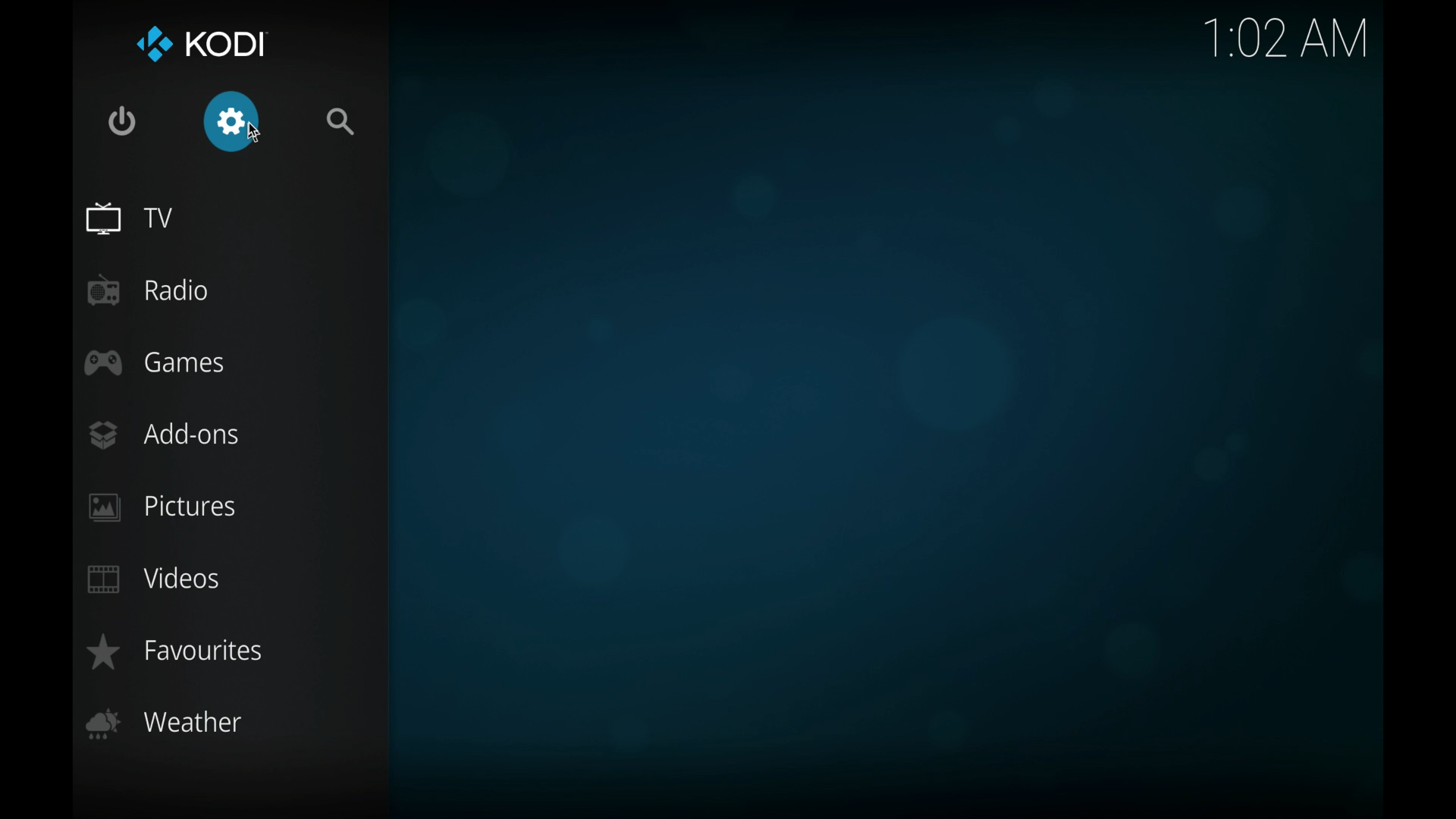  Describe the element at coordinates (231, 122) in the screenshot. I see `settings` at that location.